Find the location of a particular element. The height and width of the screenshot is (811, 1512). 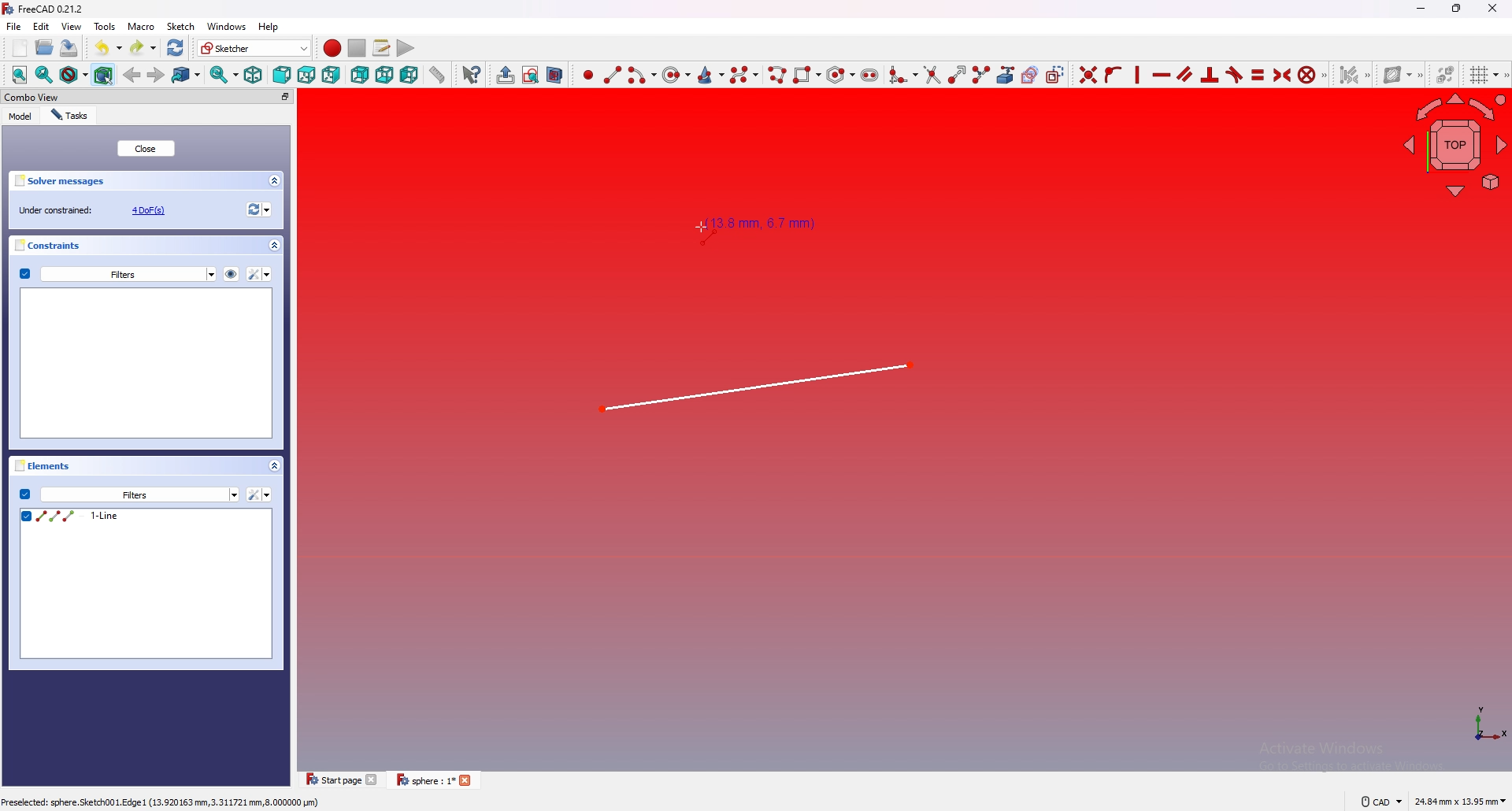

Front is located at coordinates (280, 75).